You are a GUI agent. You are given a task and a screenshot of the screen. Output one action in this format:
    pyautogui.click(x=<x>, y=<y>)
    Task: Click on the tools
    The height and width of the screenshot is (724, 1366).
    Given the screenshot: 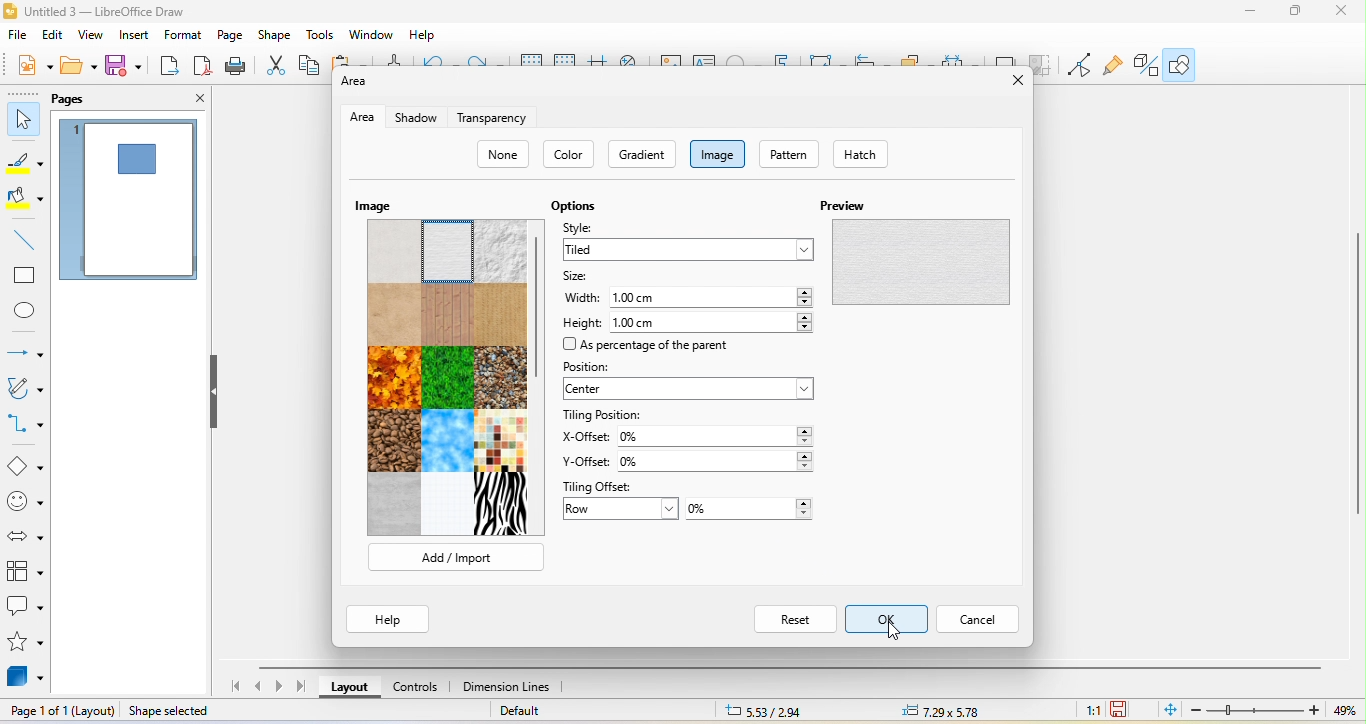 What is the action you would take?
    pyautogui.click(x=323, y=36)
    